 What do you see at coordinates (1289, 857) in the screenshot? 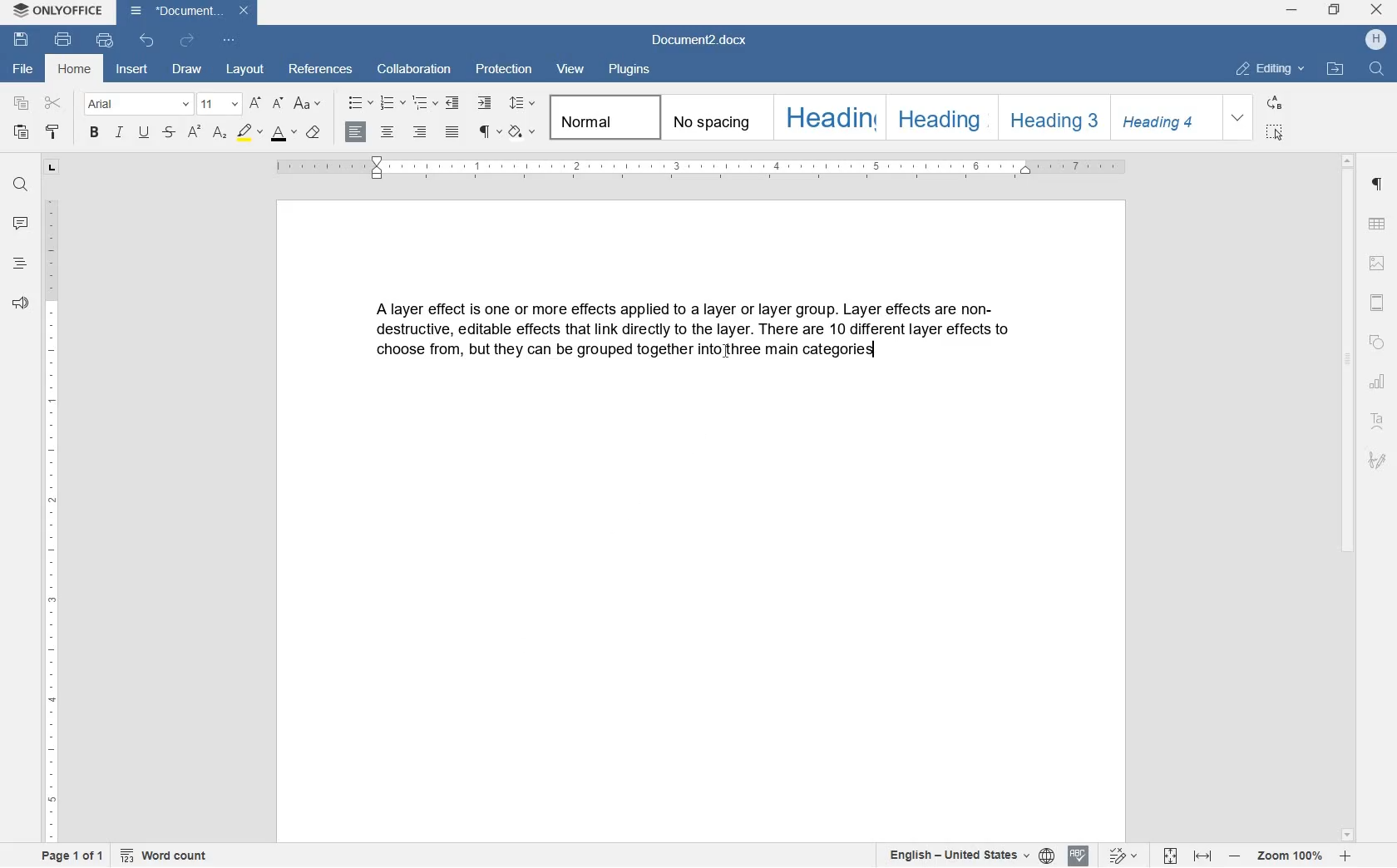
I see `zoom in or out` at bounding box center [1289, 857].